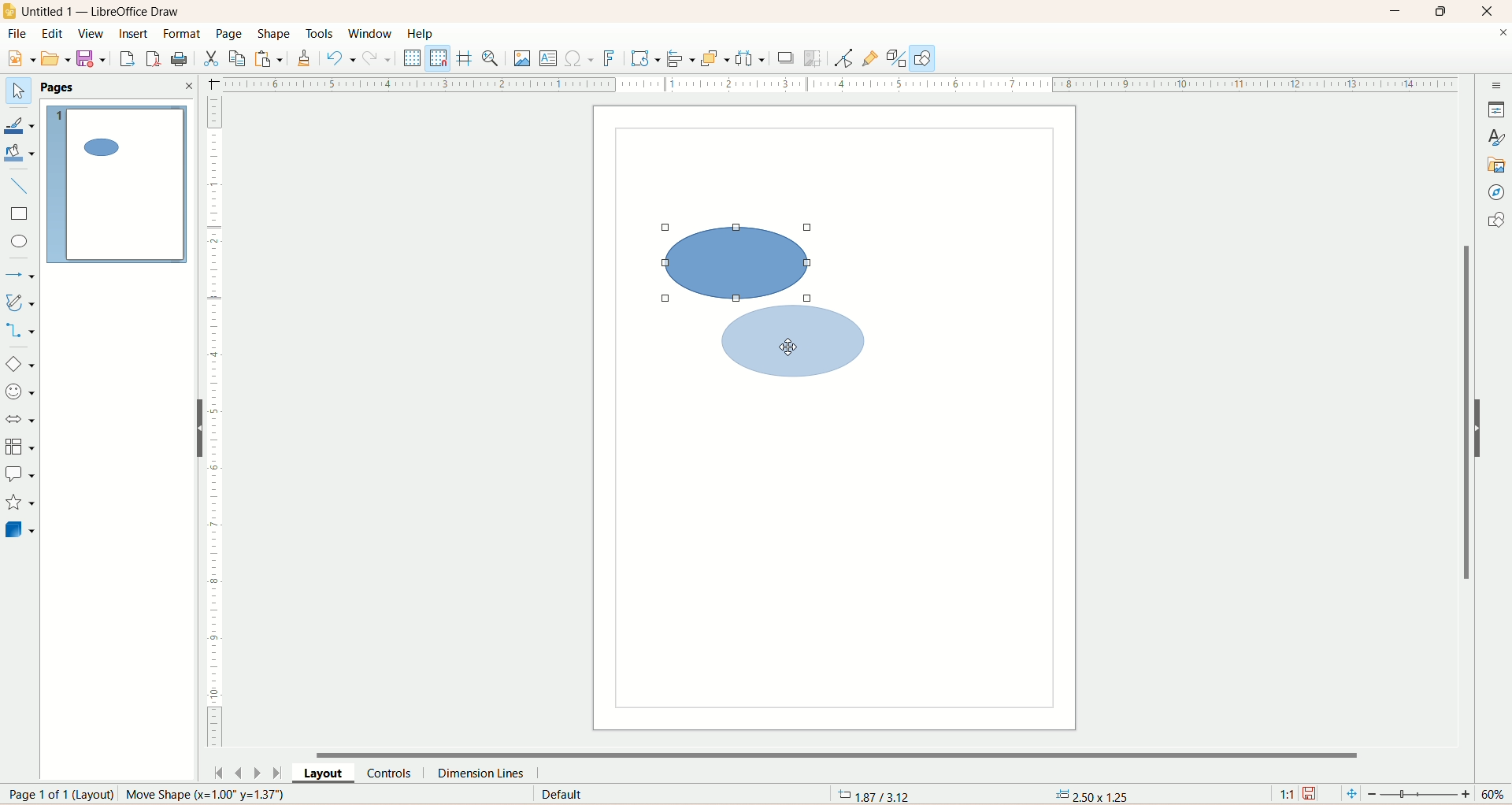 This screenshot has height=805, width=1512. Describe the element at coordinates (215, 423) in the screenshot. I see `scale bar` at that location.